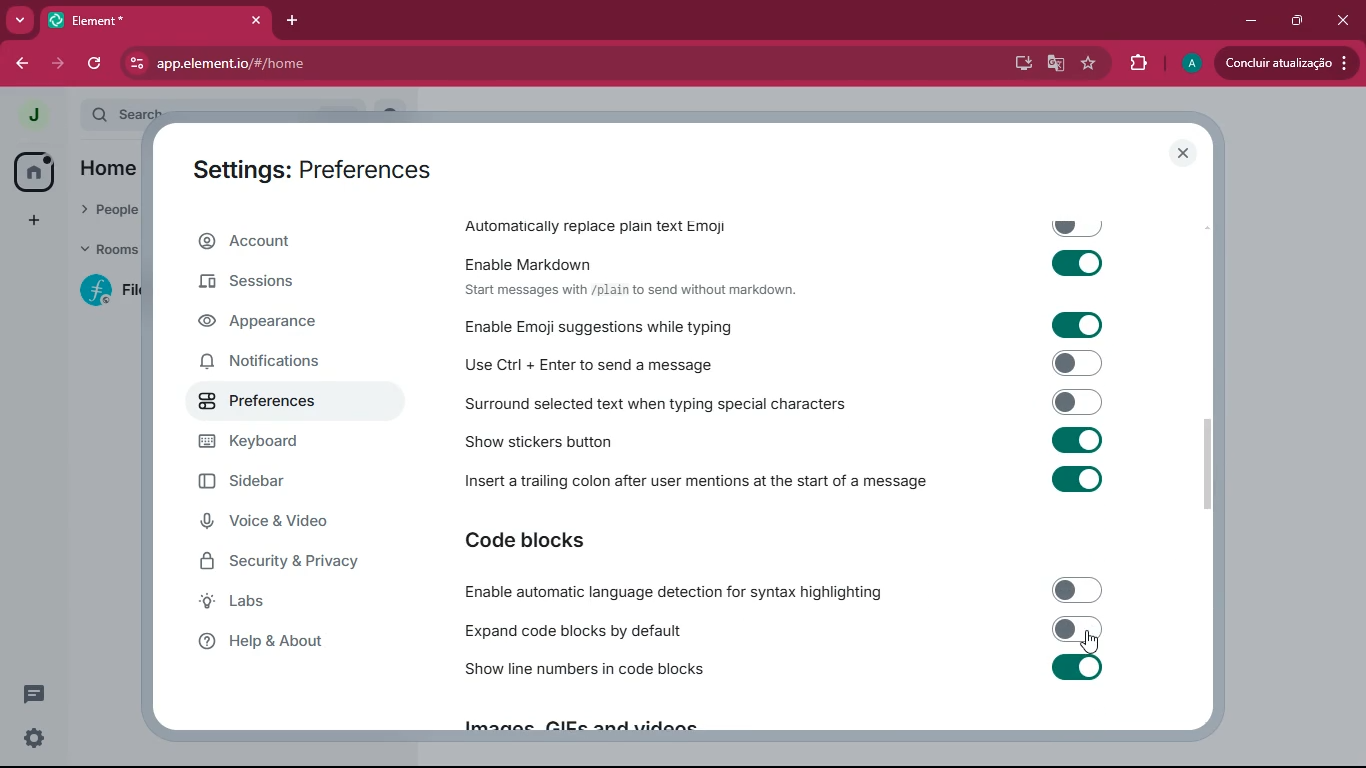 This screenshot has height=768, width=1366. What do you see at coordinates (283, 364) in the screenshot?
I see `notifications` at bounding box center [283, 364].